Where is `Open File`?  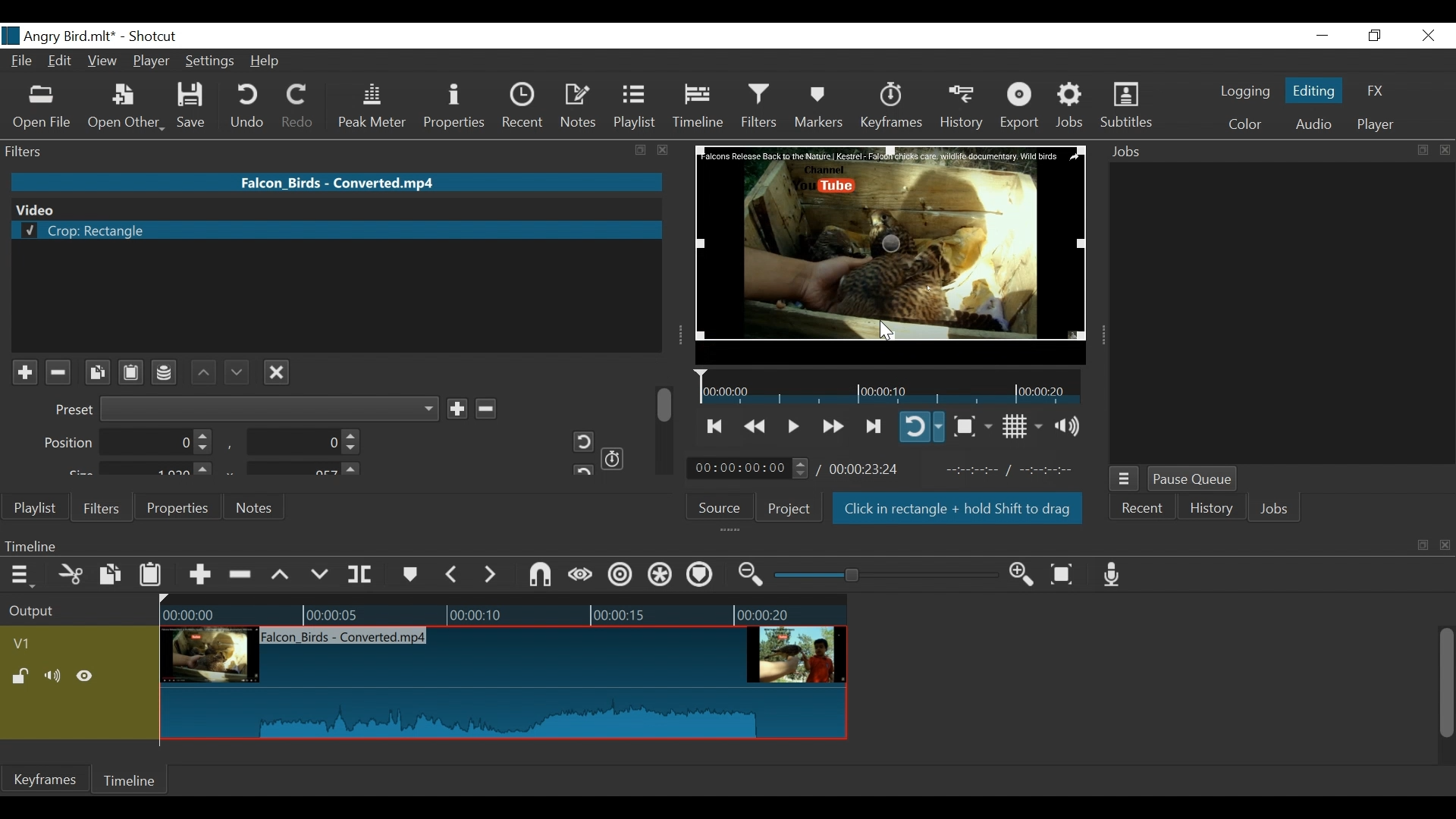
Open File is located at coordinates (42, 108).